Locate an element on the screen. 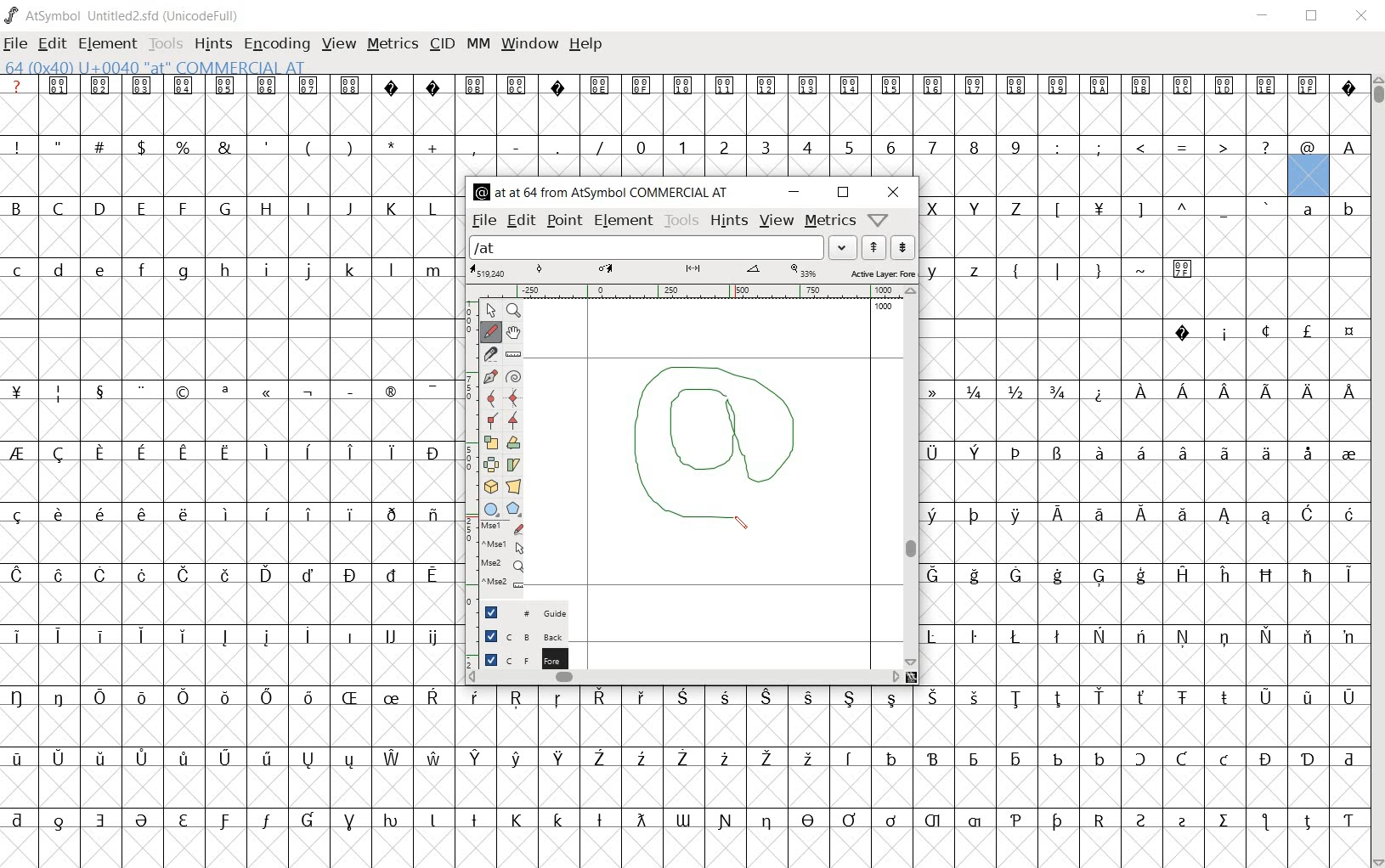 The height and width of the screenshot is (868, 1385). glyph is located at coordinates (1145, 469).